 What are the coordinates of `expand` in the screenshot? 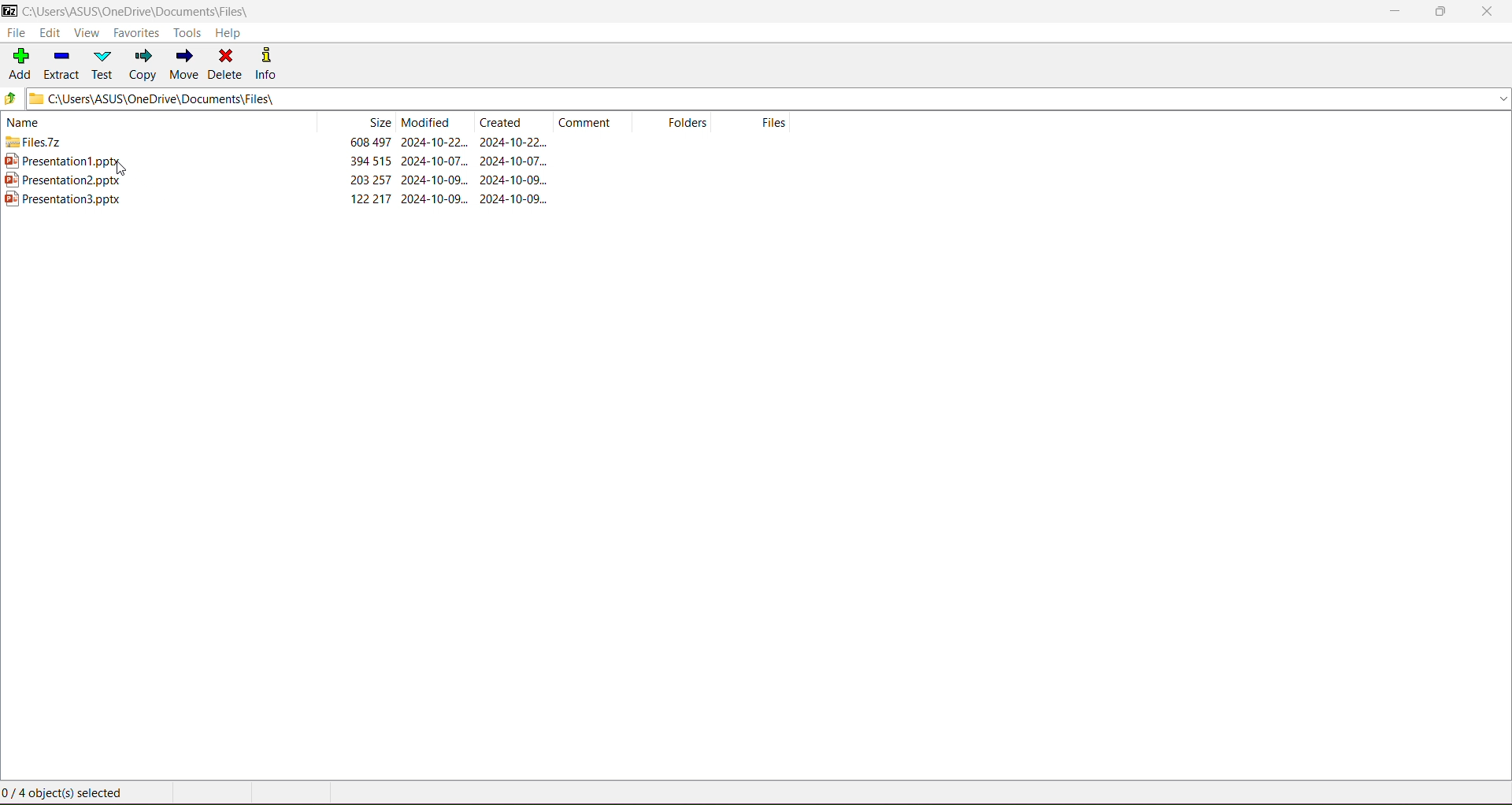 It's located at (1503, 98).